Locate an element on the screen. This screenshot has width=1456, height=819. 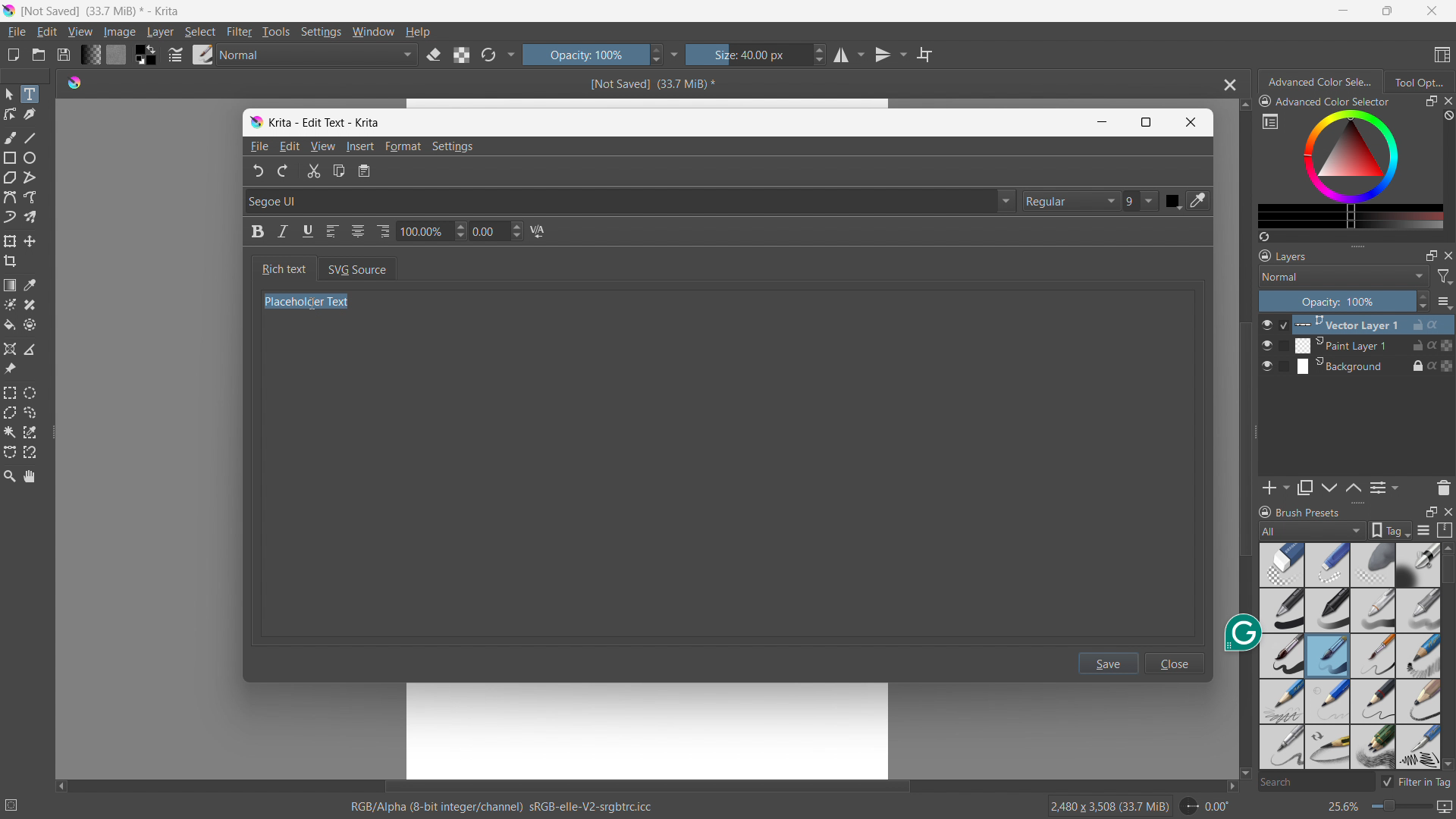
enclose and fill tool is located at coordinates (30, 325).